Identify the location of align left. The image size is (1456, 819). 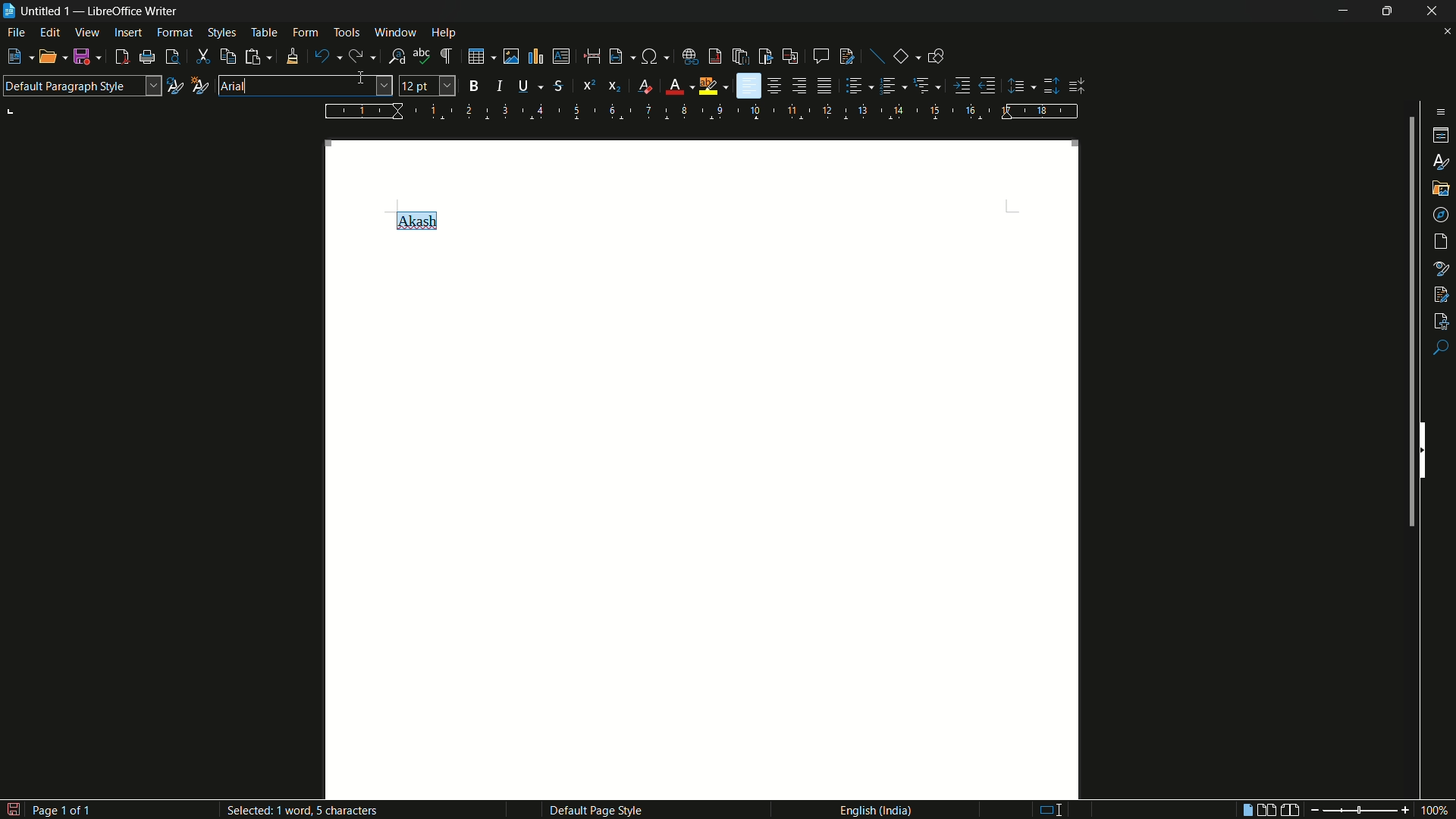
(748, 86).